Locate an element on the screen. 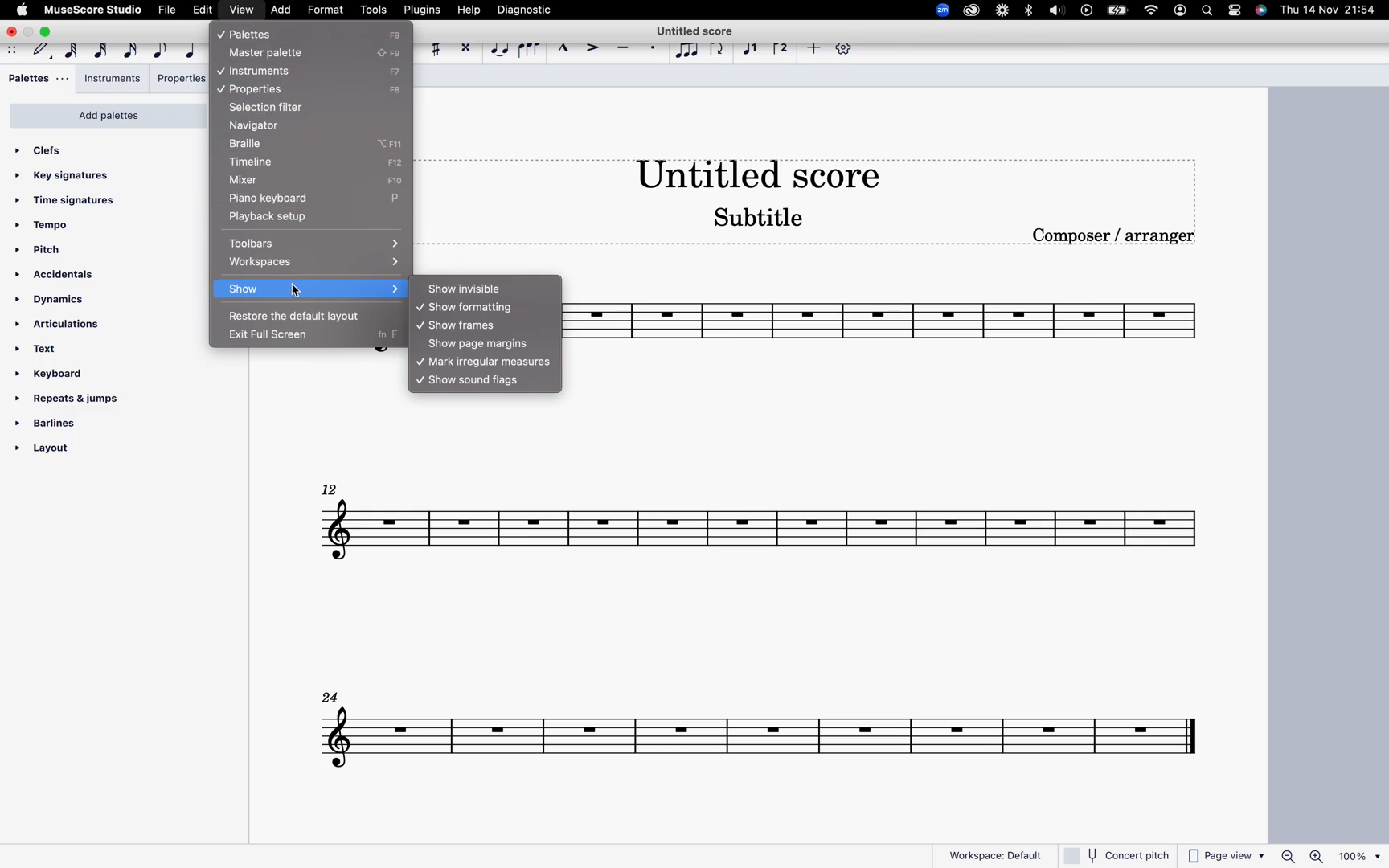  restore the default layout is located at coordinates (298, 315).